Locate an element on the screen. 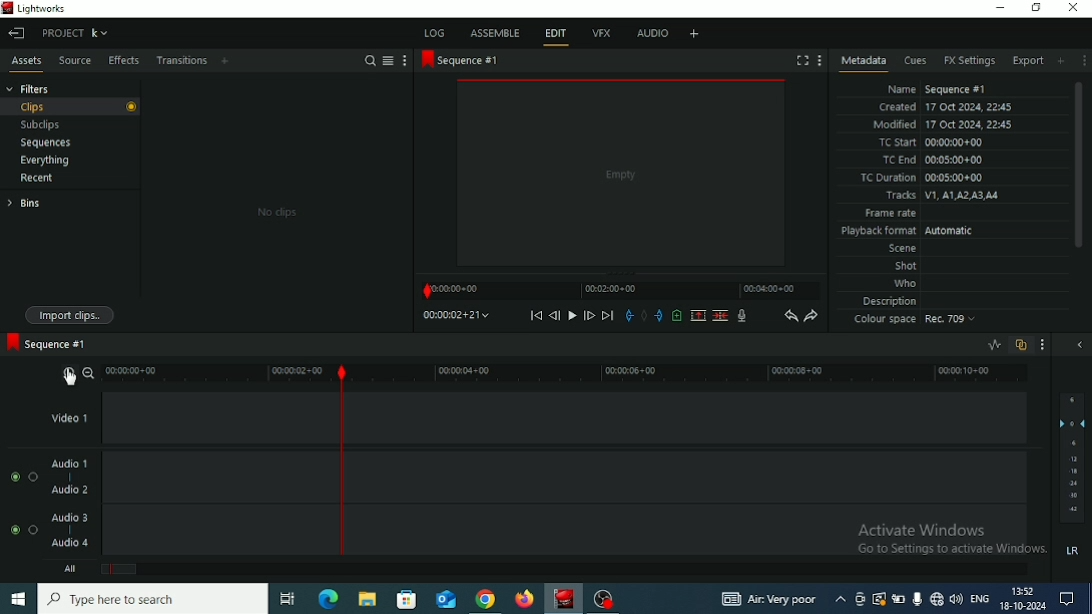 The image size is (1092, 614). Audio 1 is located at coordinates (72, 462).